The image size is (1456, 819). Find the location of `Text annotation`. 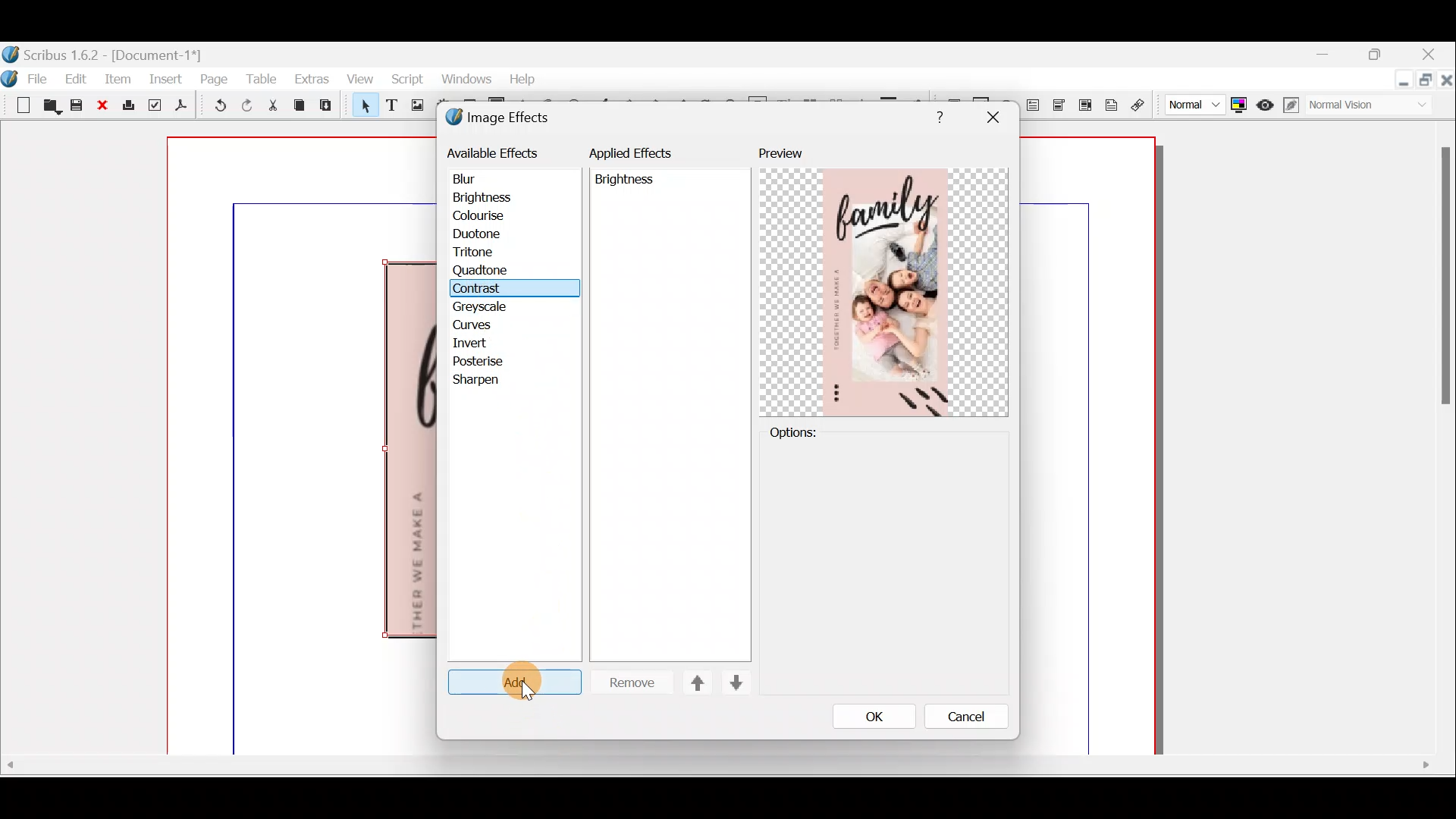

Text annotation is located at coordinates (1112, 103).